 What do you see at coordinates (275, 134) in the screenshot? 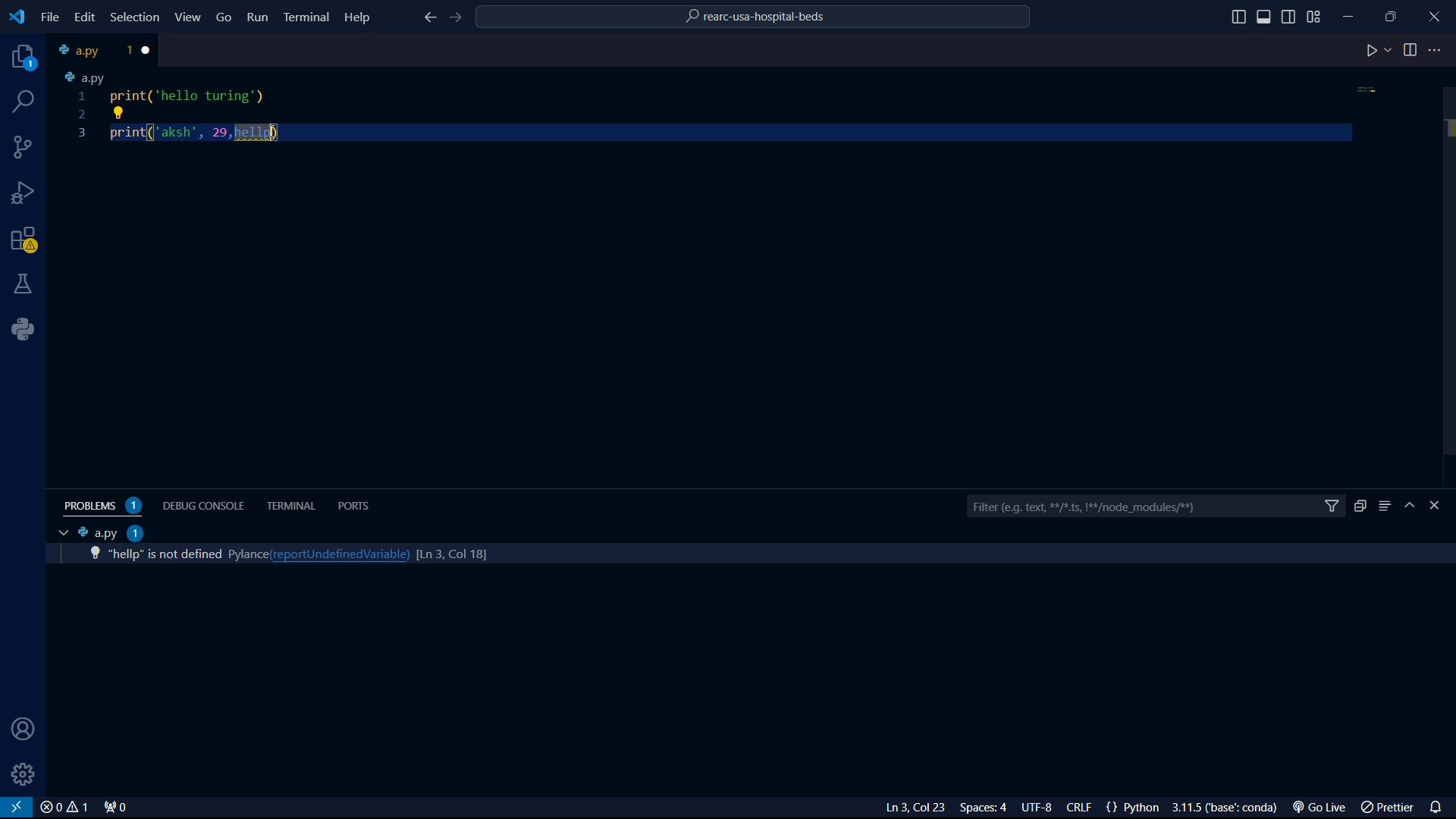
I see `cursor` at bounding box center [275, 134].